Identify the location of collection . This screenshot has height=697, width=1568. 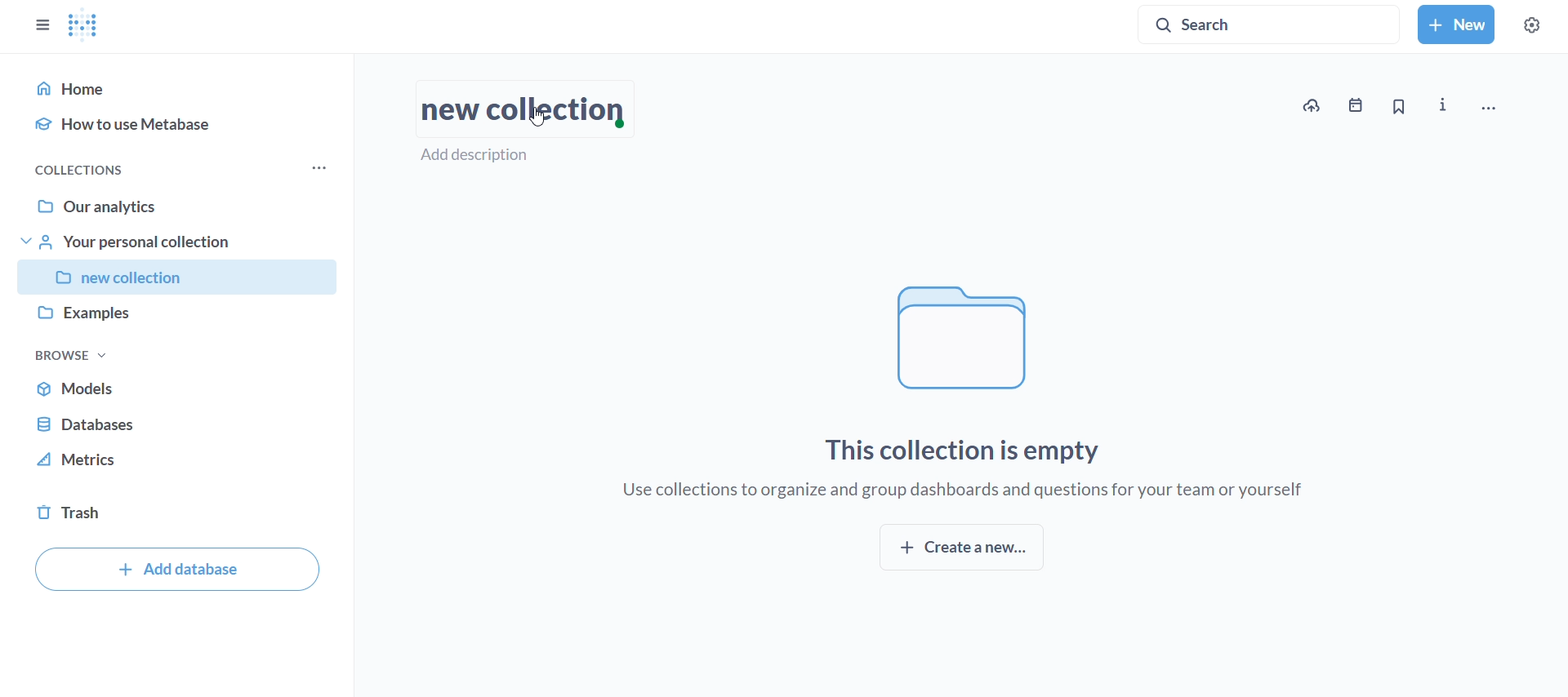
(179, 278).